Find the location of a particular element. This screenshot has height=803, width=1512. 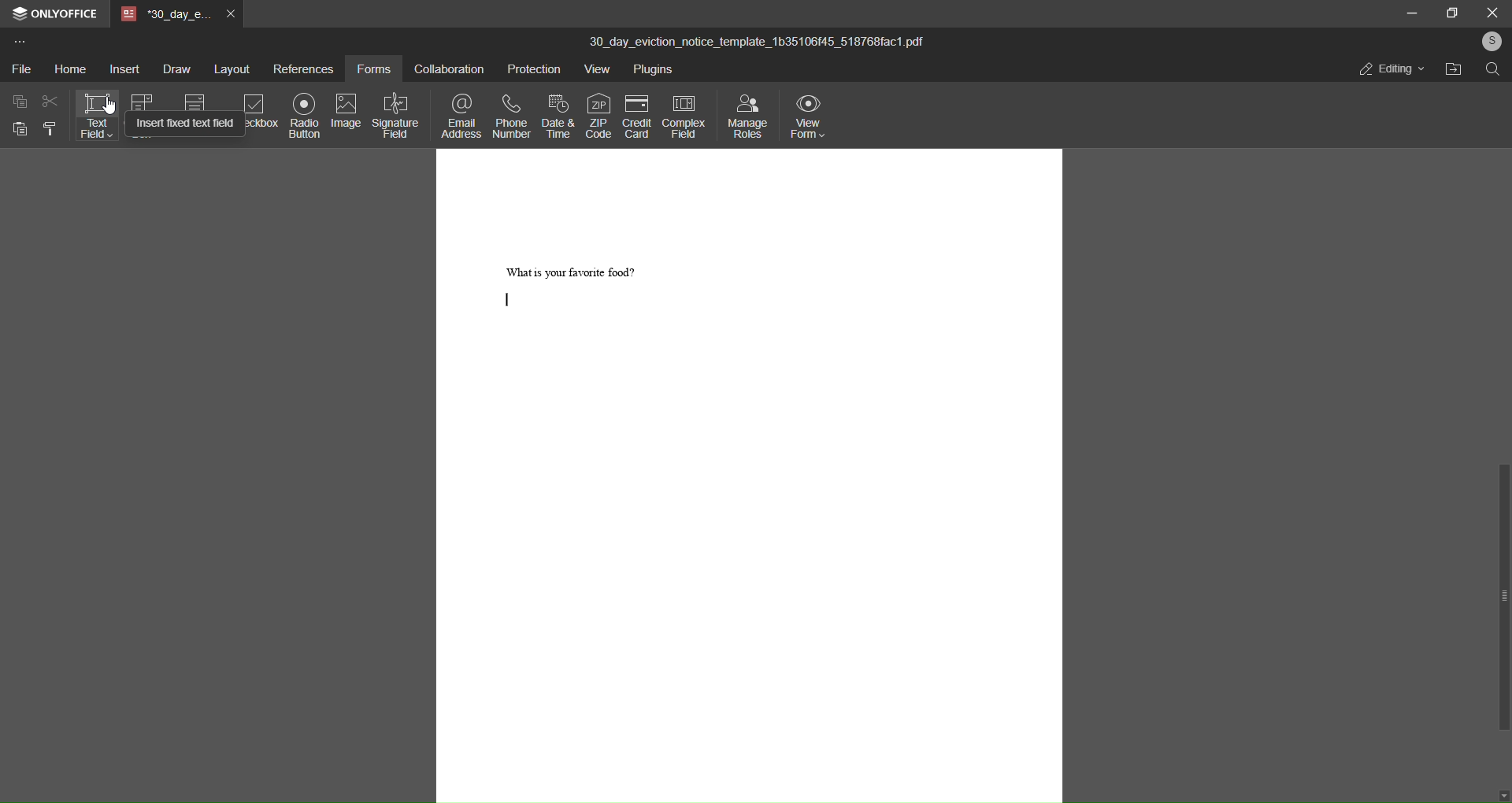

phone number is located at coordinates (511, 116).